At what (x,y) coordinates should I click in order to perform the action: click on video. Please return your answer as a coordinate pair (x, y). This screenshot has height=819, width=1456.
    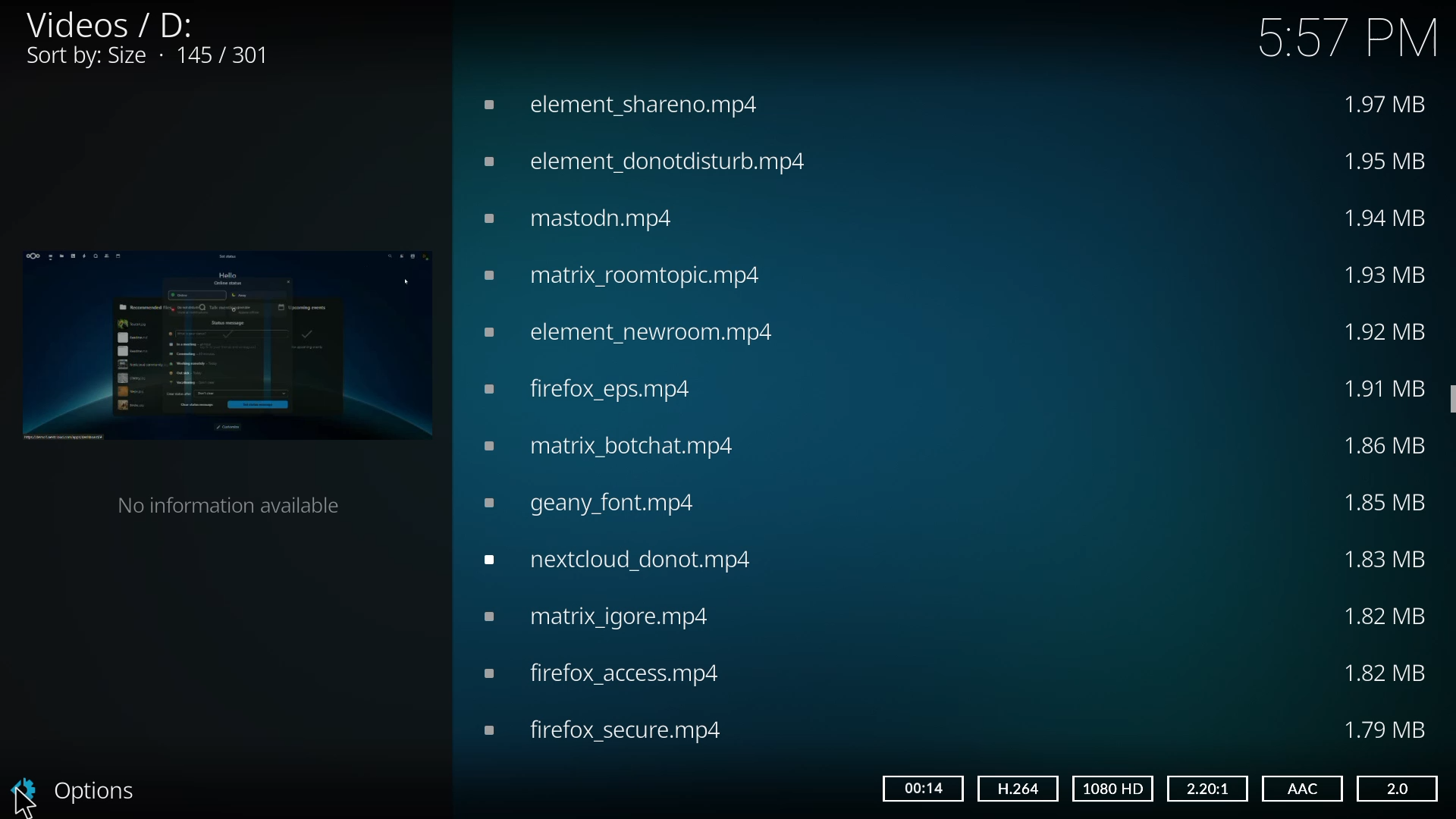
    Looking at the image, I should click on (592, 503).